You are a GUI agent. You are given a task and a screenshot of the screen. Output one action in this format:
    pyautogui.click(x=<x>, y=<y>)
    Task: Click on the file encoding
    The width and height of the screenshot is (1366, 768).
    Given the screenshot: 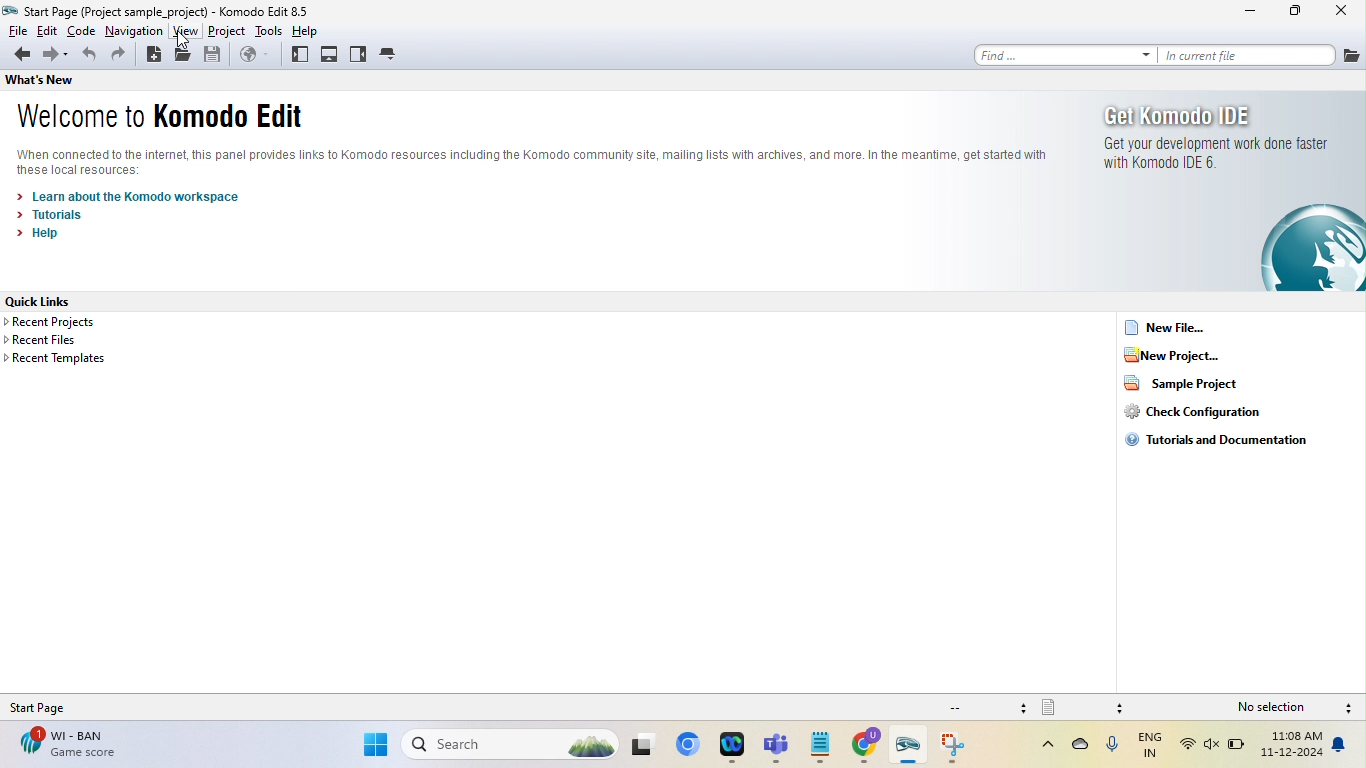 What is the action you would take?
    pyautogui.click(x=985, y=707)
    